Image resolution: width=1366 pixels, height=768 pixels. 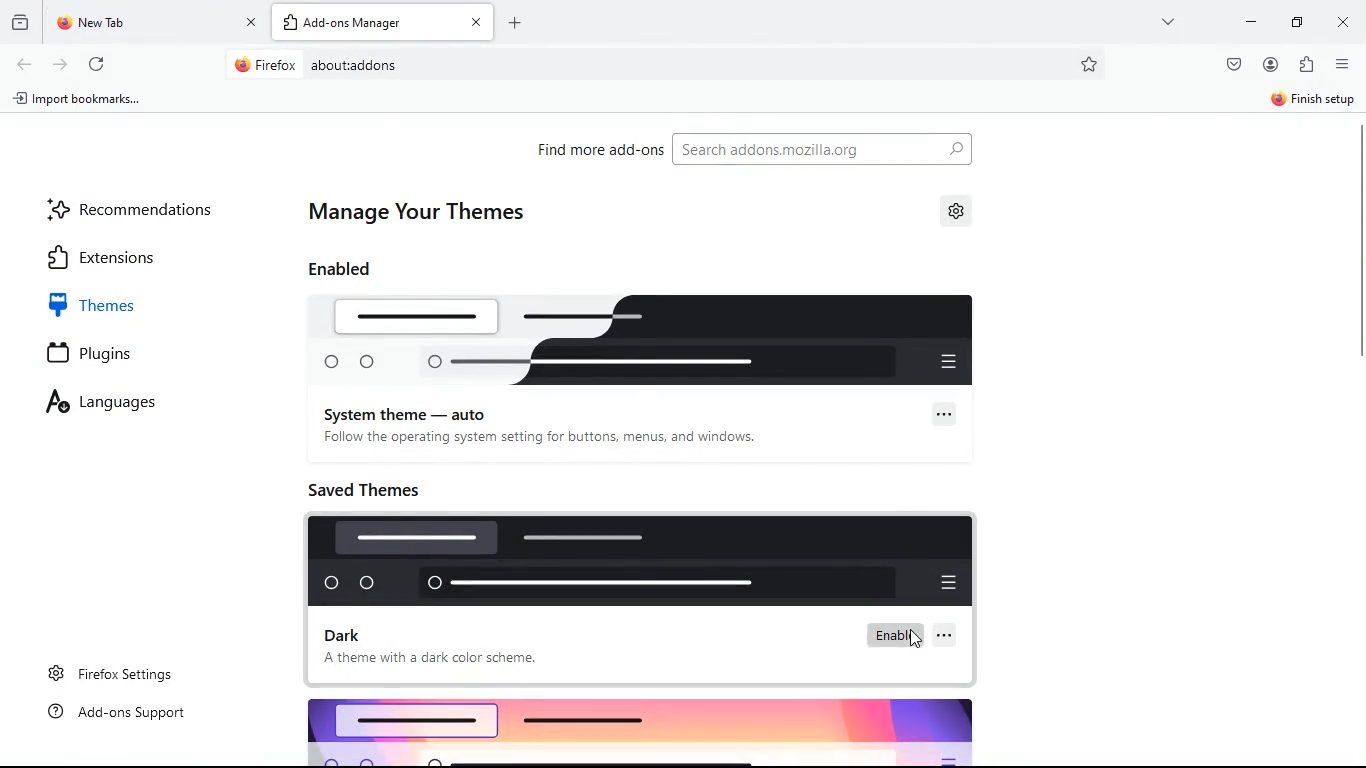 What do you see at coordinates (351, 635) in the screenshot?
I see `dark` at bounding box center [351, 635].